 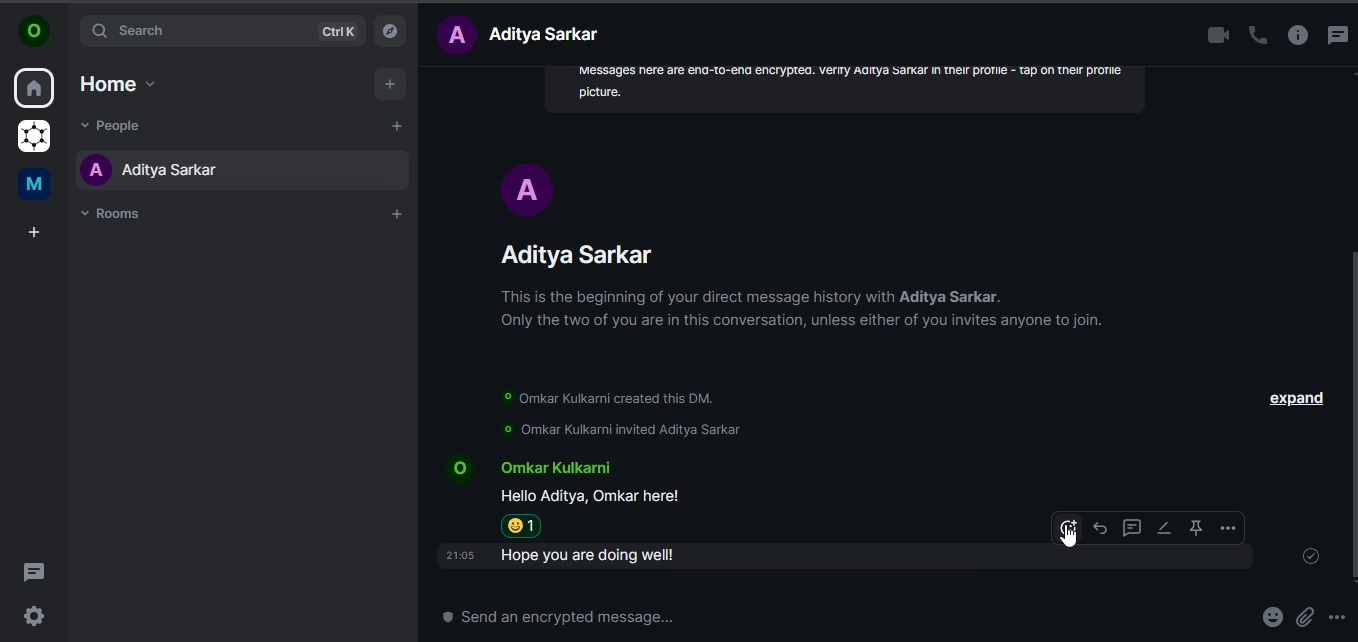 I want to click on create a space, so click(x=33, y=234).